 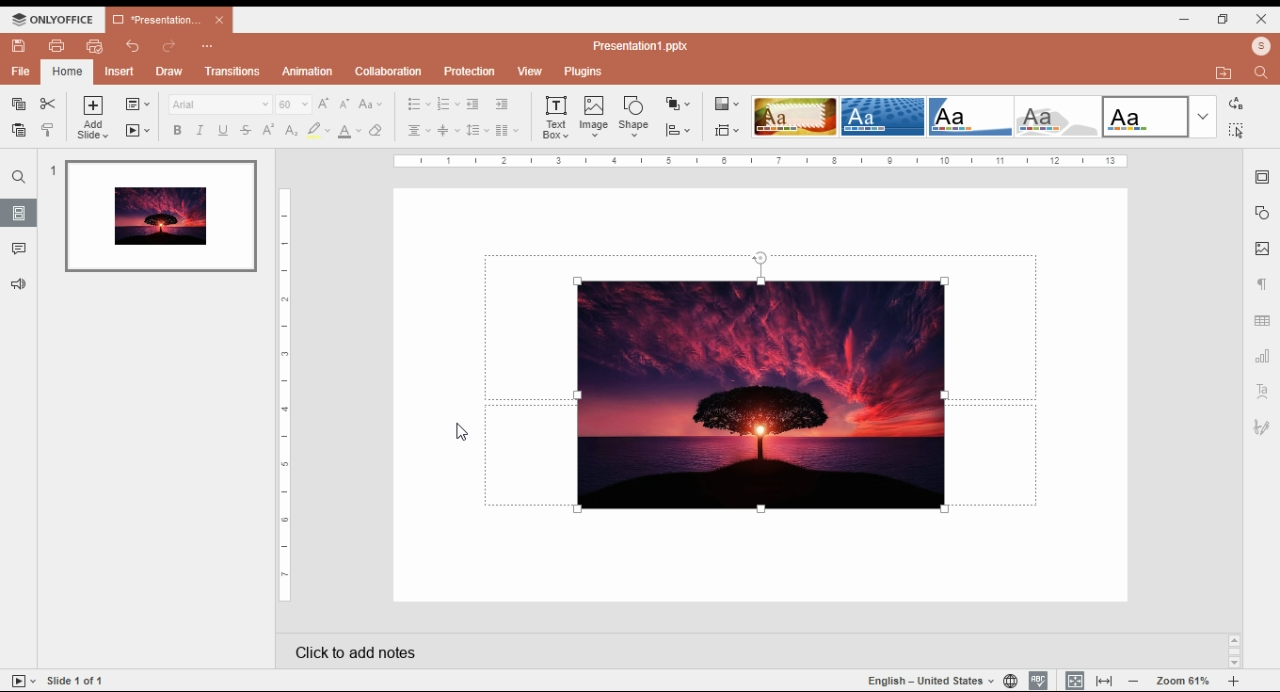 What do you see at coordinates (68, 72) in the screenshot?
I see `home` at bounding box center [68, 72].